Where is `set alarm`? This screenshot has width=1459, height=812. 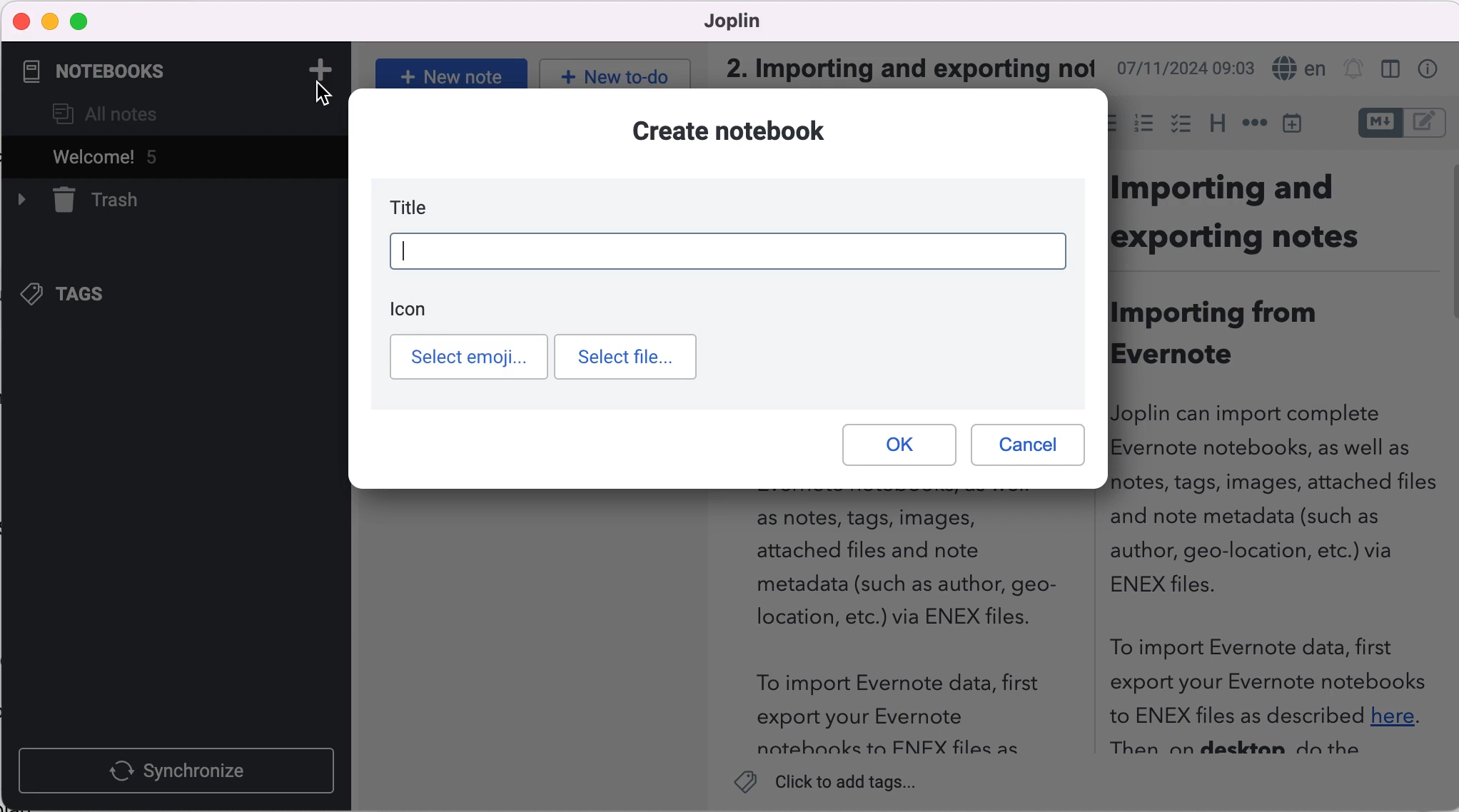
set alarm is located at coordinates (1354, 71).